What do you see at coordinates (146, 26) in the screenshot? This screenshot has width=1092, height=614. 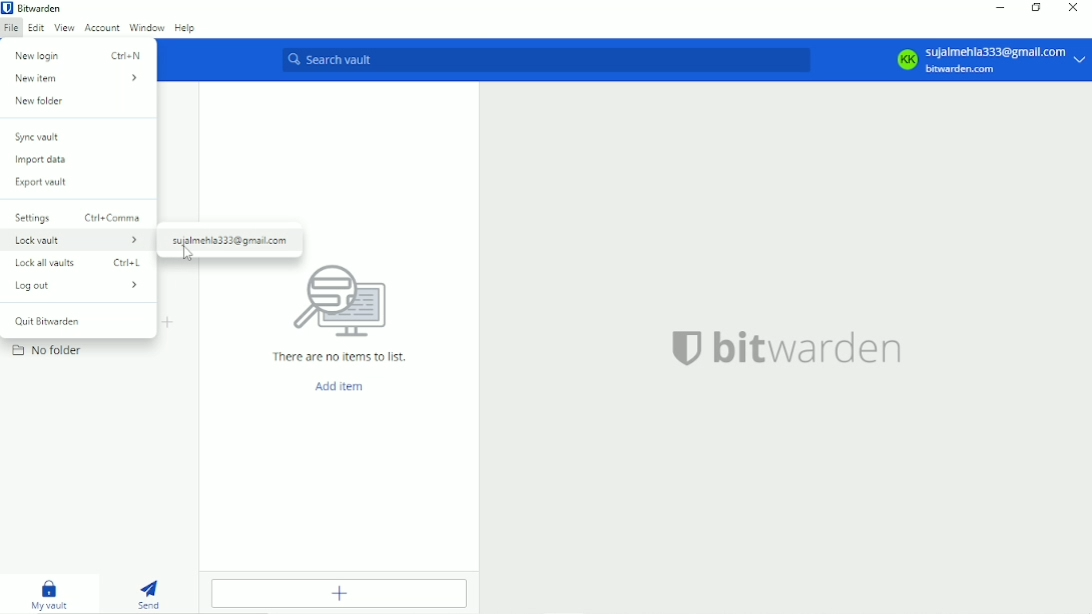 I see `Window` at bounding box center [146, 26].